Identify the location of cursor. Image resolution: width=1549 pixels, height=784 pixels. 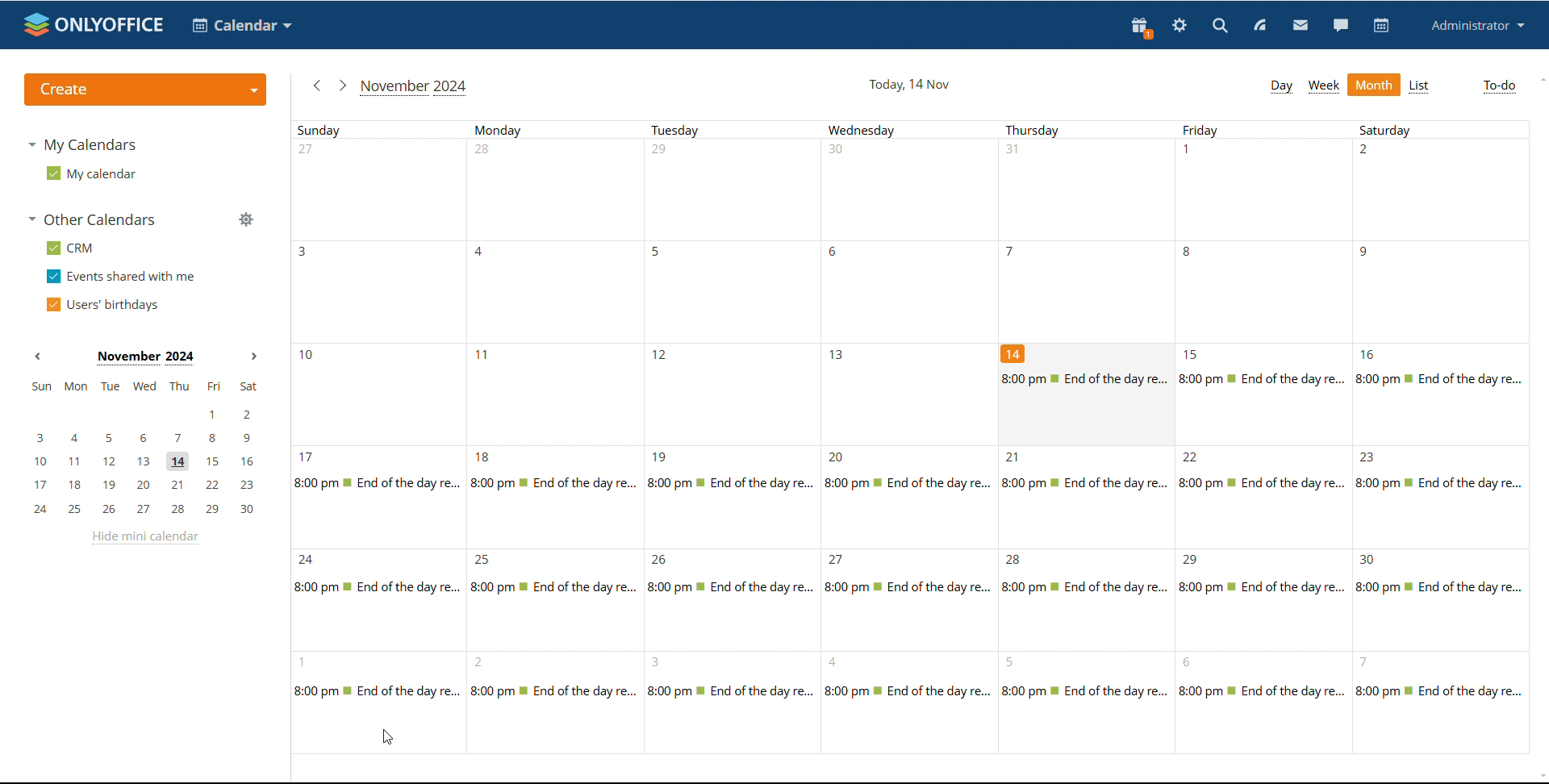
(386, 736).